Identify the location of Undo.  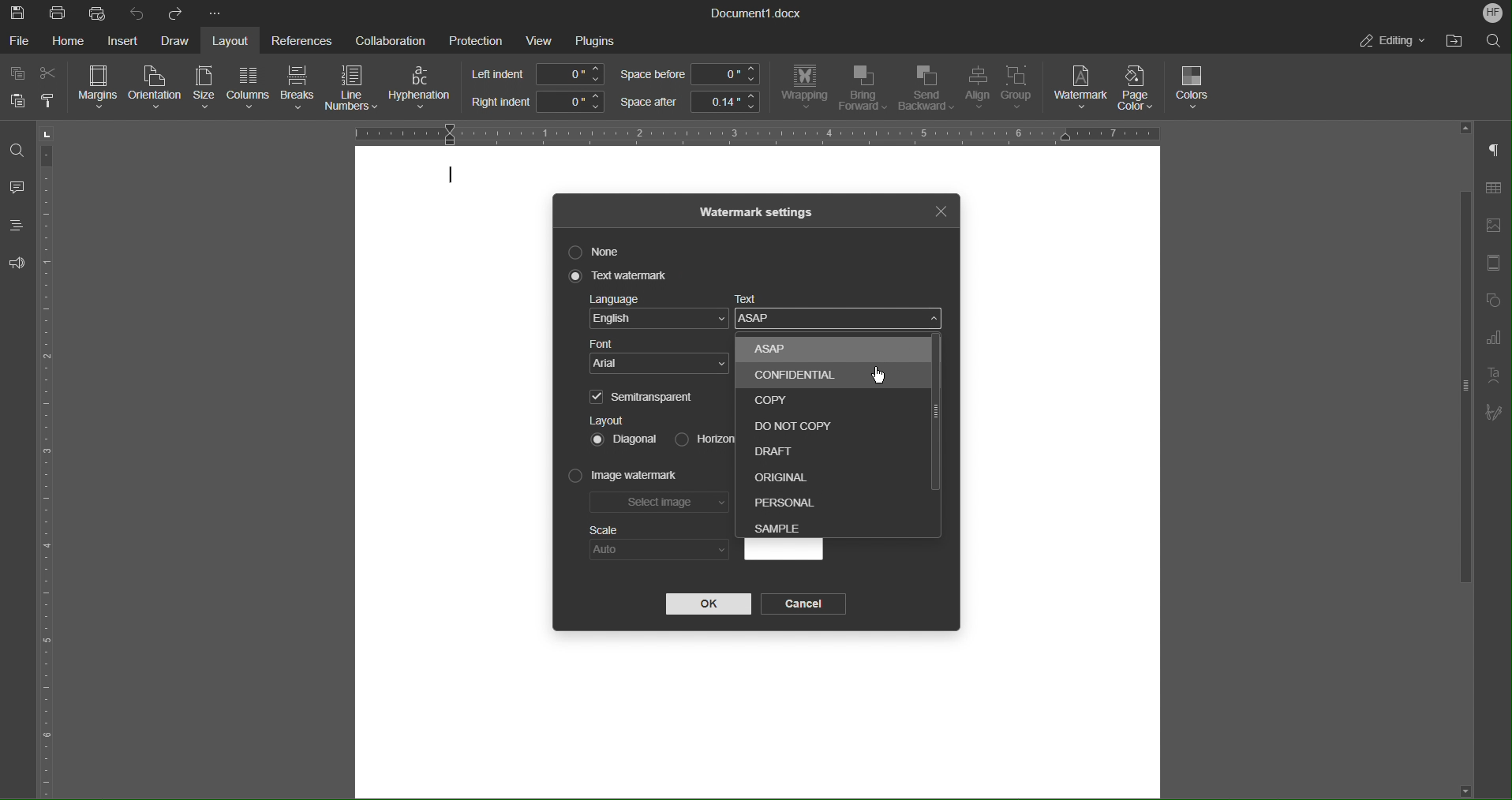
(137, 13).